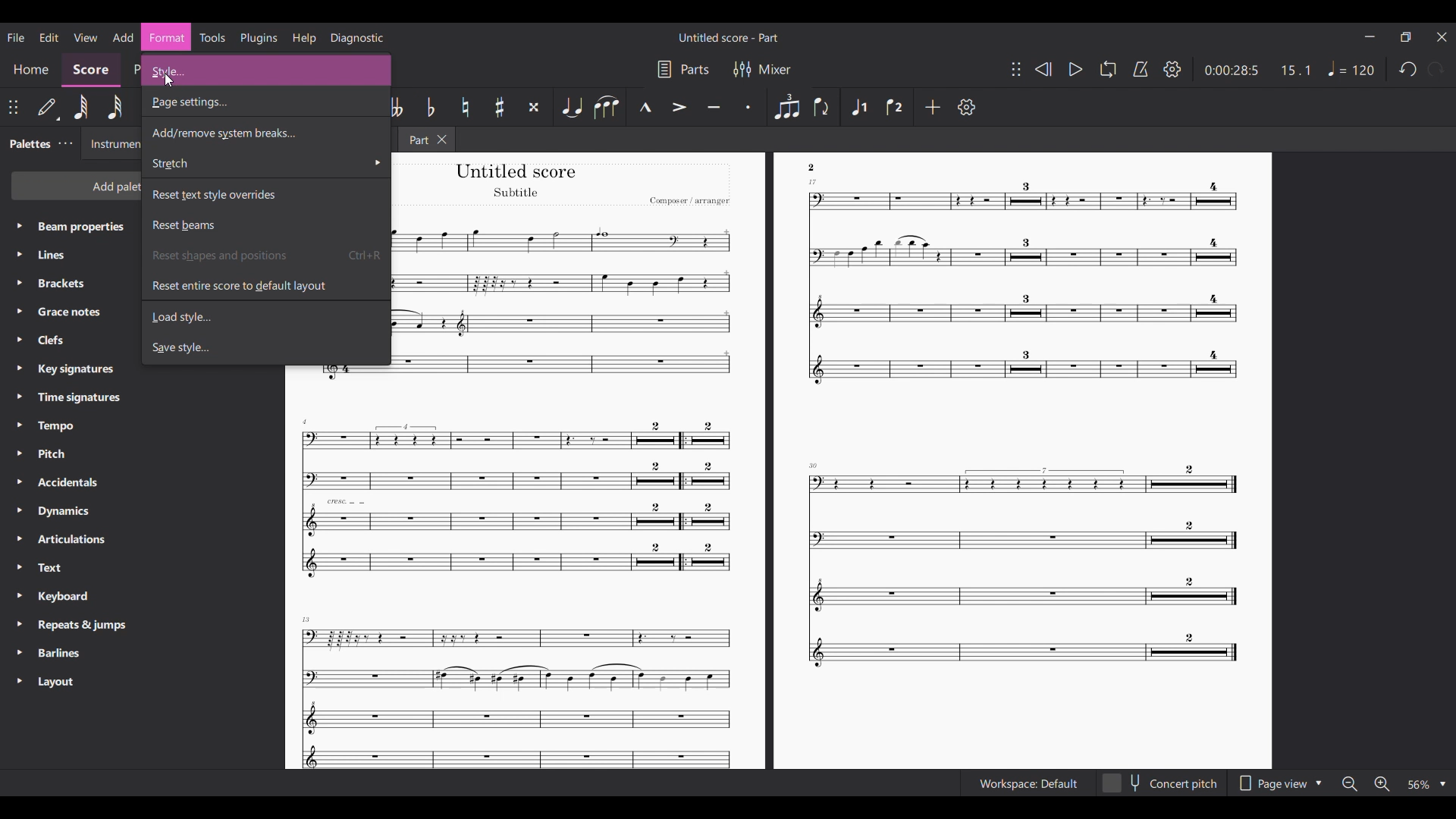 The height and width of the screenshot is (819, 1456). I want to click on Toggle sharp, so click(500, 107).